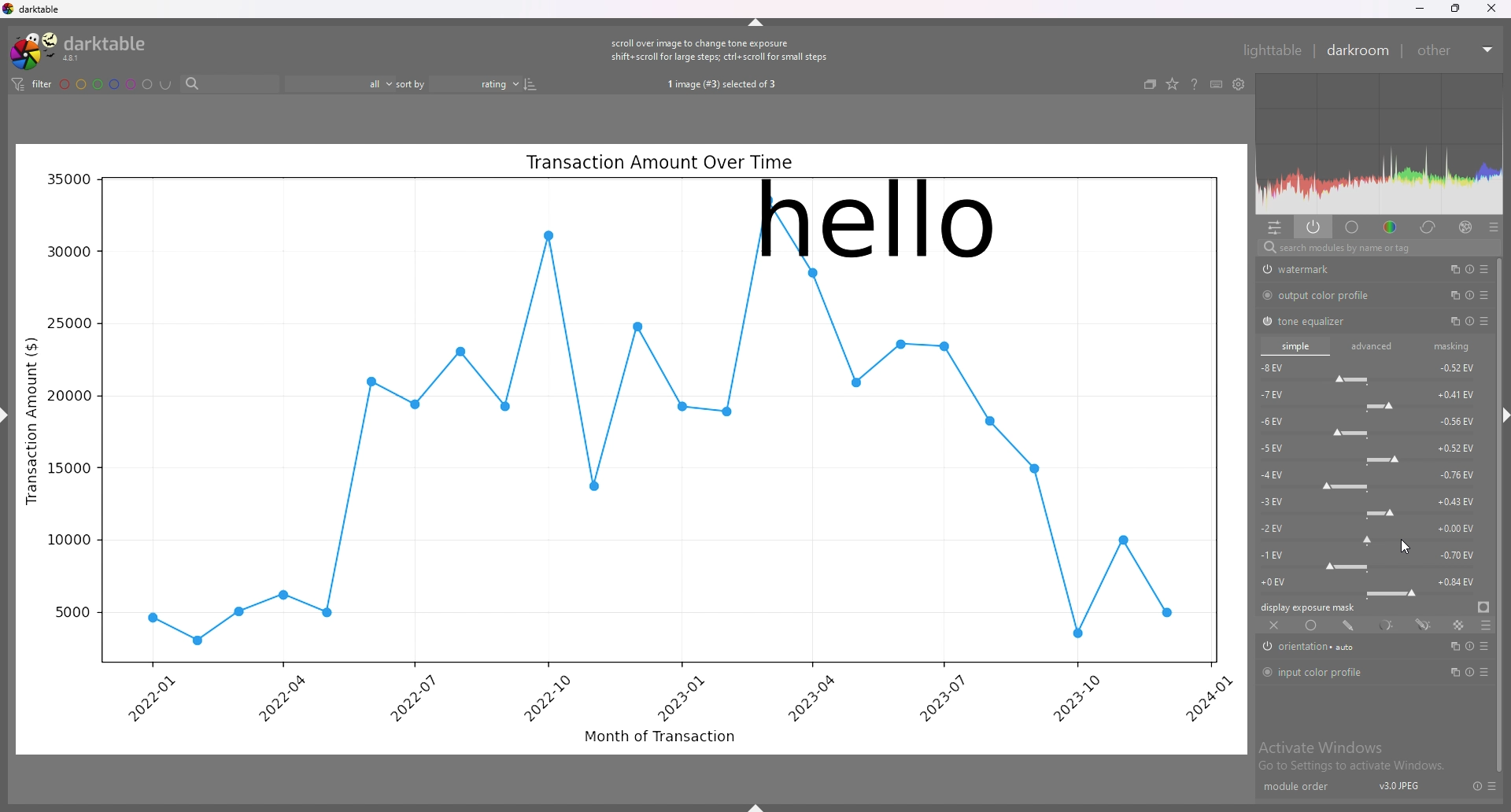  Describe the element at coordinates (659, 735) in the screenshot. I see `Month of Transaction` at that location.